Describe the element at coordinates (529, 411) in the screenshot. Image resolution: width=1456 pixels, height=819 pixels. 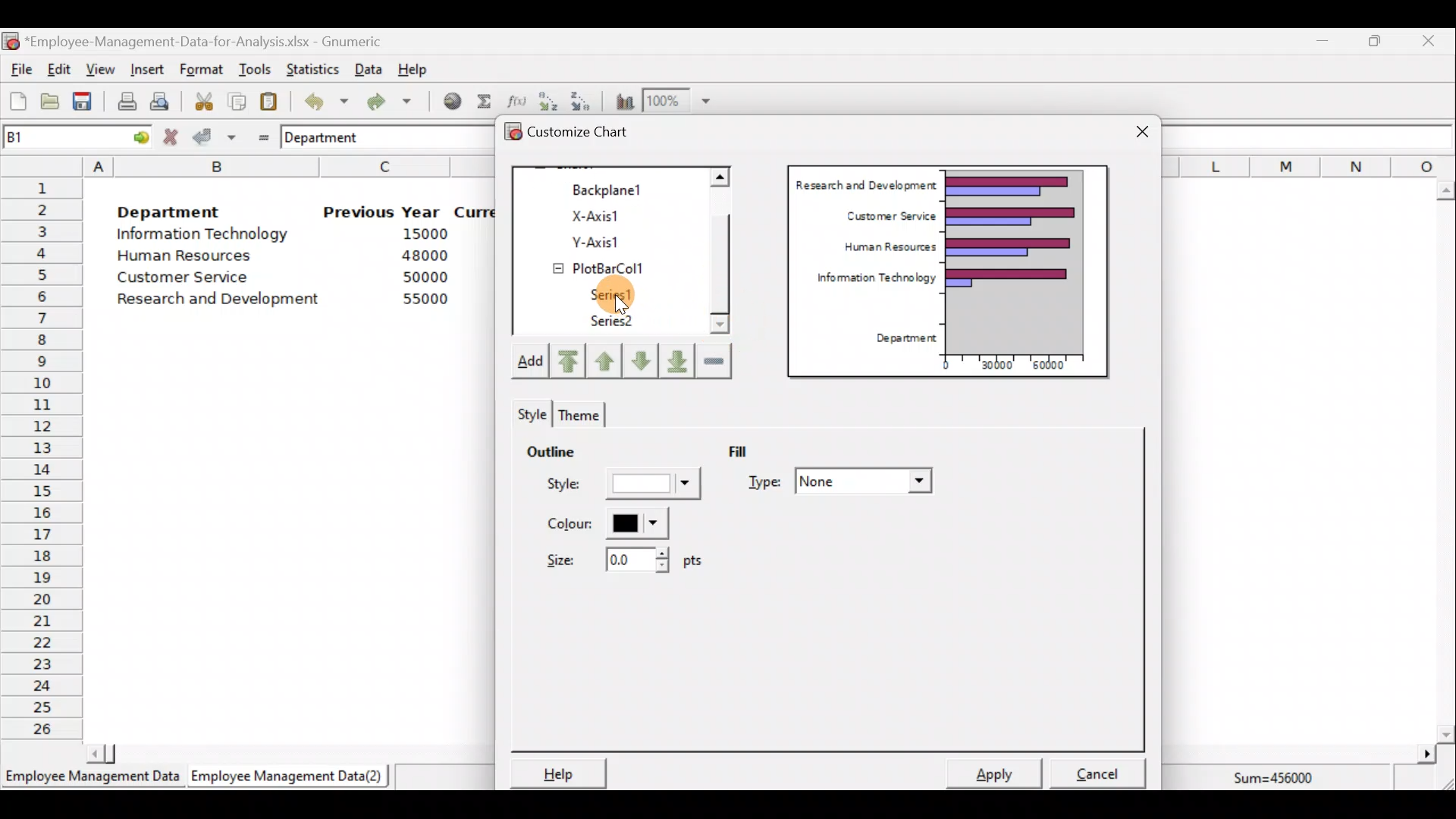
I see `Style` at that location.